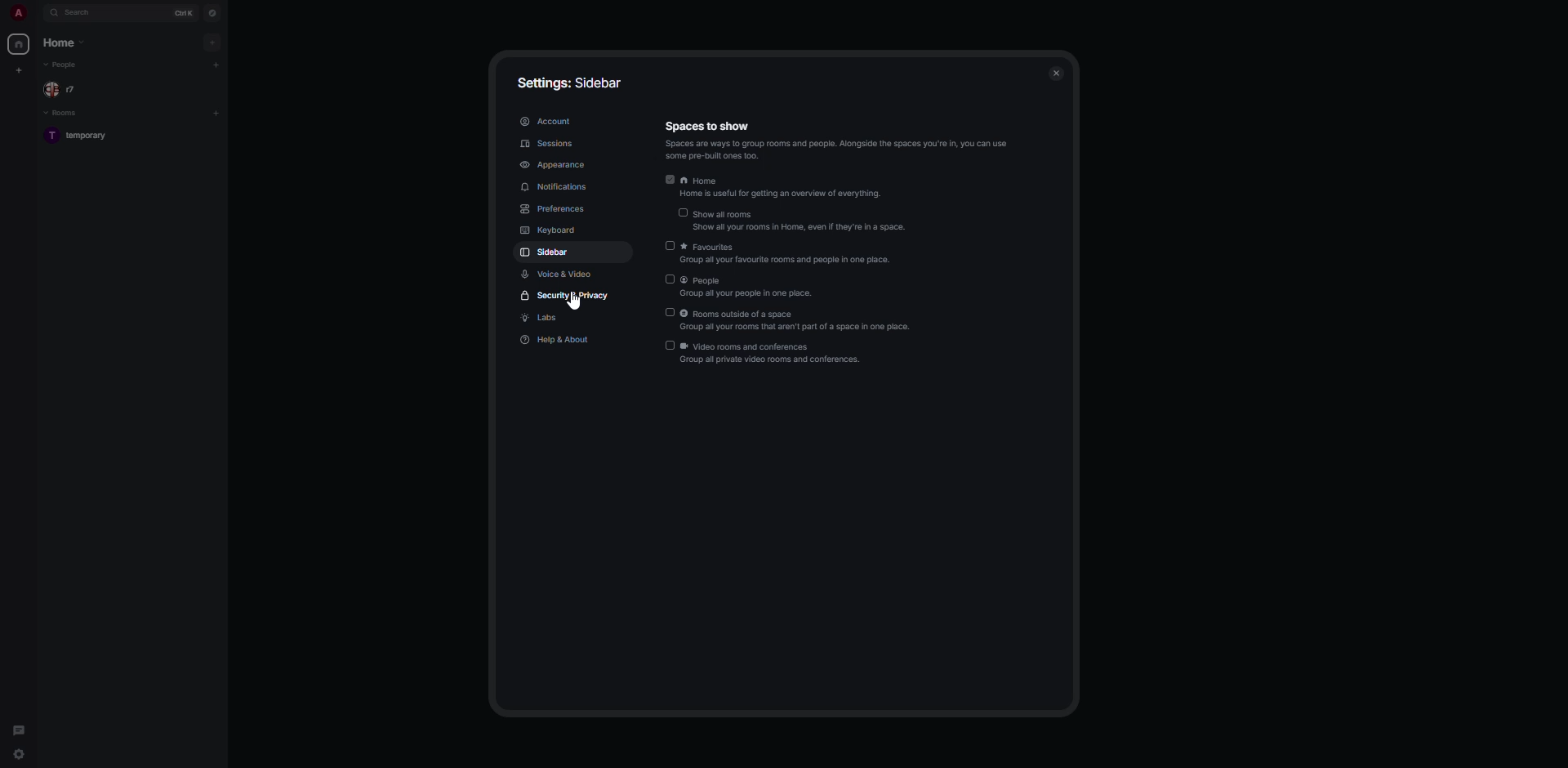  Describe the element at coordinates (62, 114) in the screenshot. I see `rooms` at that location.